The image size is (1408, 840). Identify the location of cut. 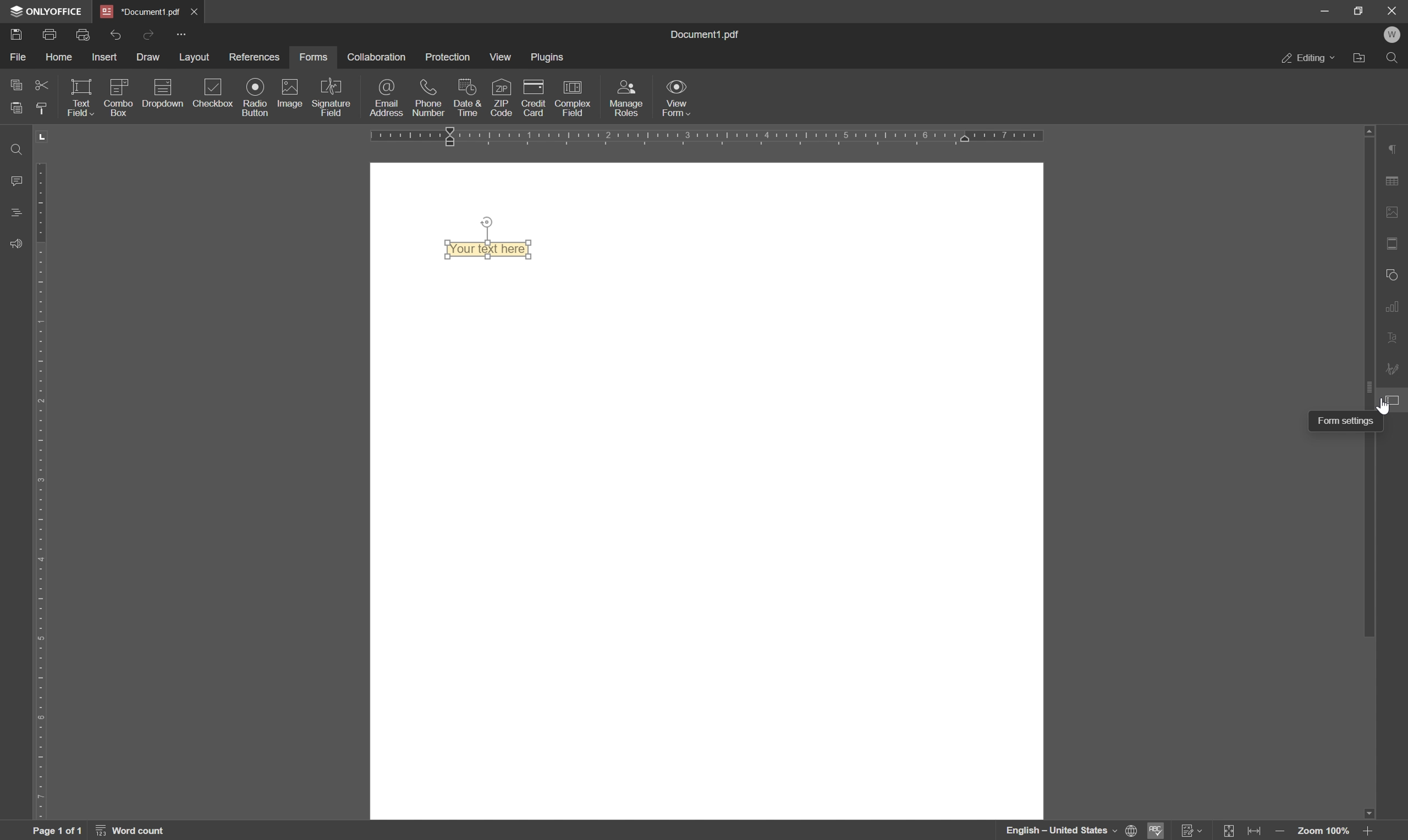
(41, 84).